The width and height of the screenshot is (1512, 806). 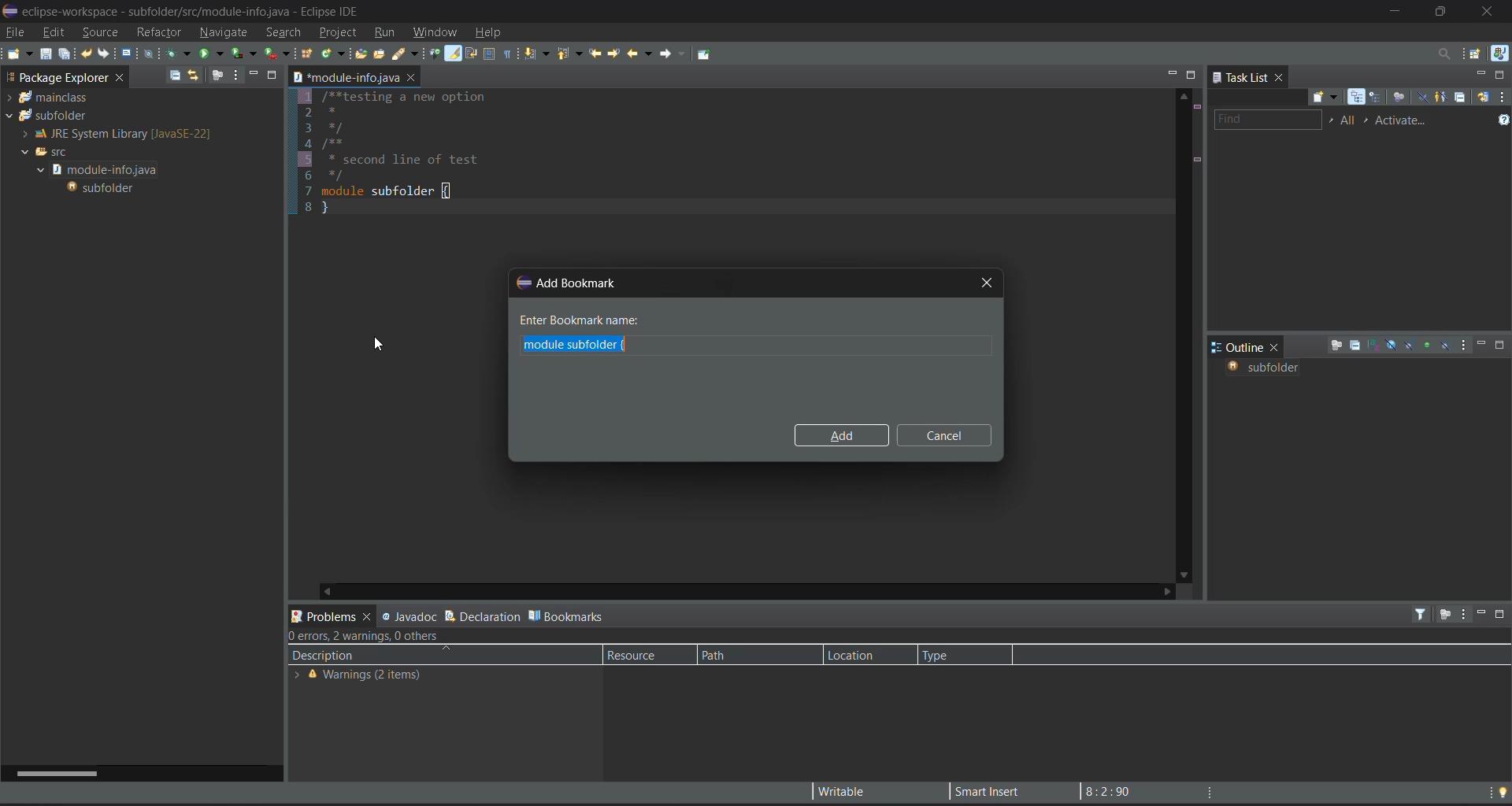 What do you see at coordinates (273, 74) in the screenshot?
I see `maximize` at bounding box center [273, 74].